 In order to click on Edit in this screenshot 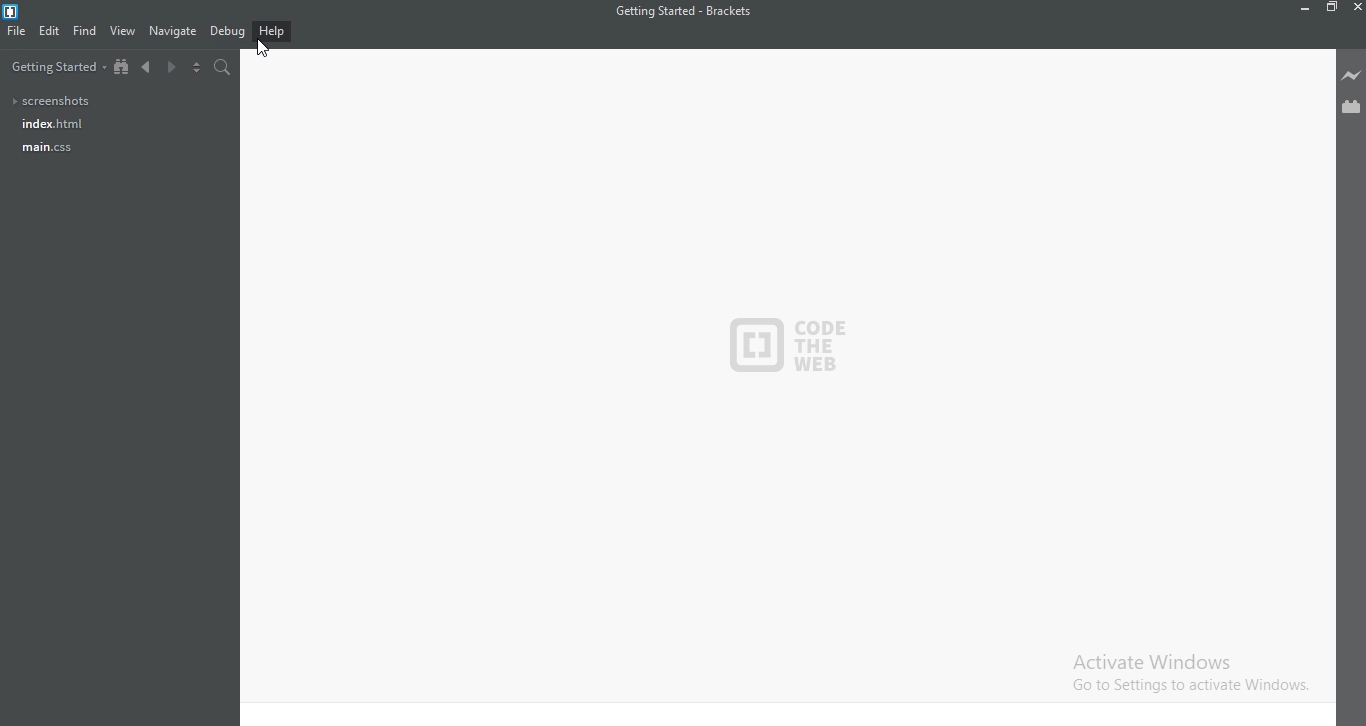, I will do `click(50, 30)`.